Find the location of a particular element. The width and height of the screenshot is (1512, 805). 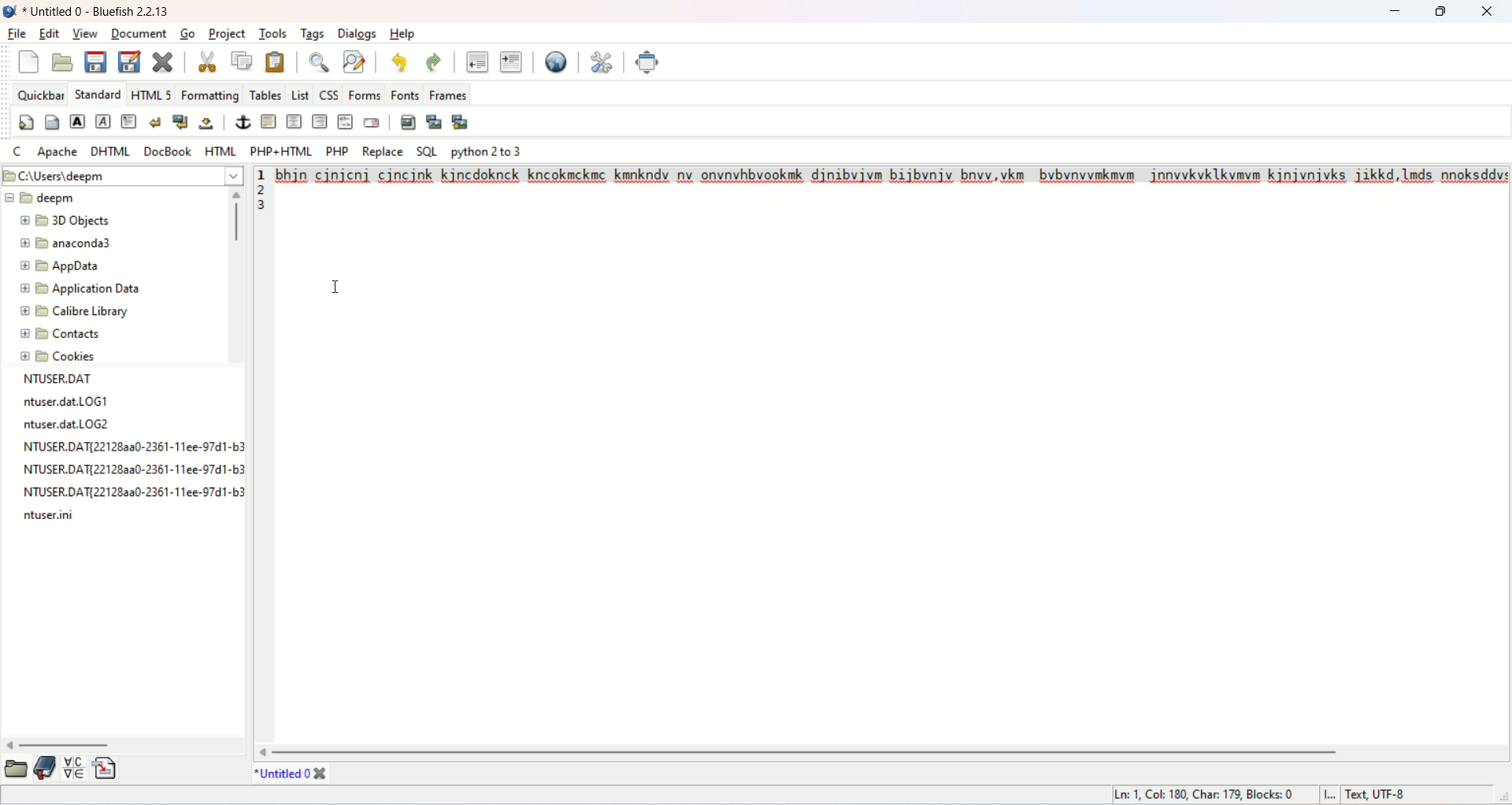

save current file is located at coordinates (95, 63).